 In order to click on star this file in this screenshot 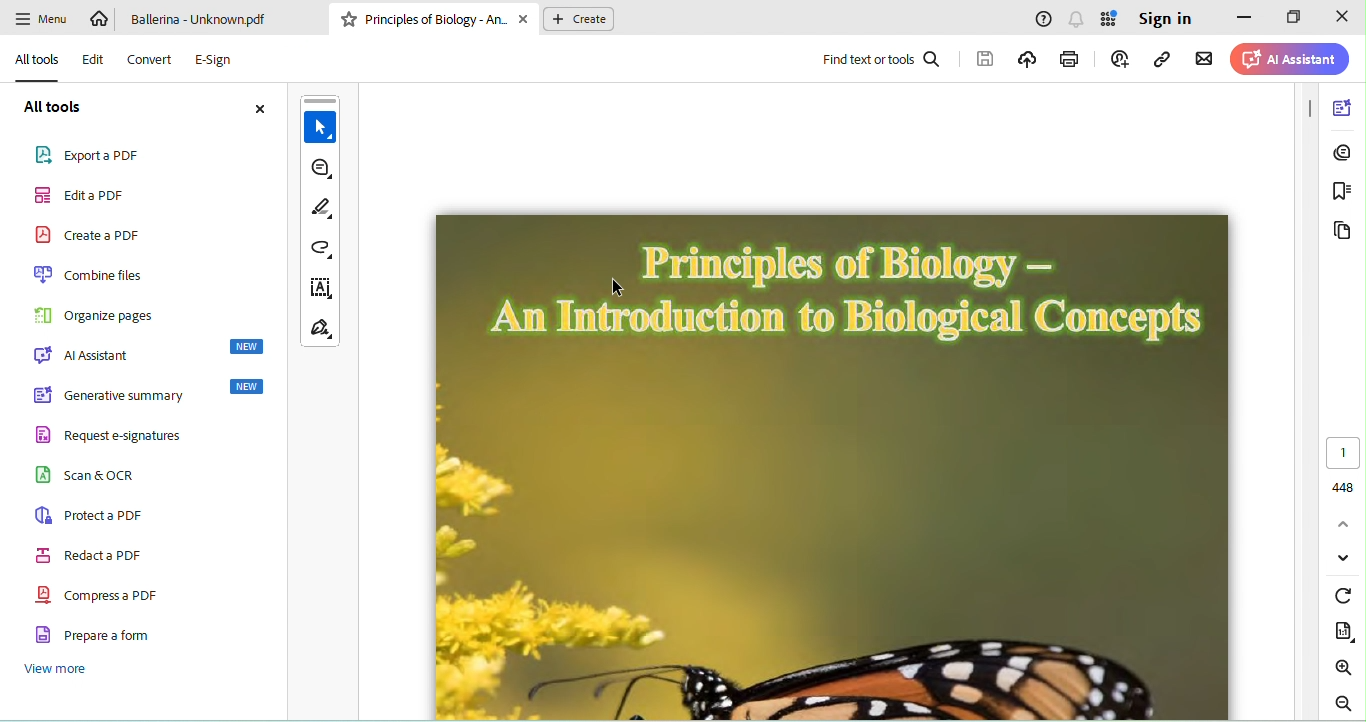, I will do `click(348, 19)`.